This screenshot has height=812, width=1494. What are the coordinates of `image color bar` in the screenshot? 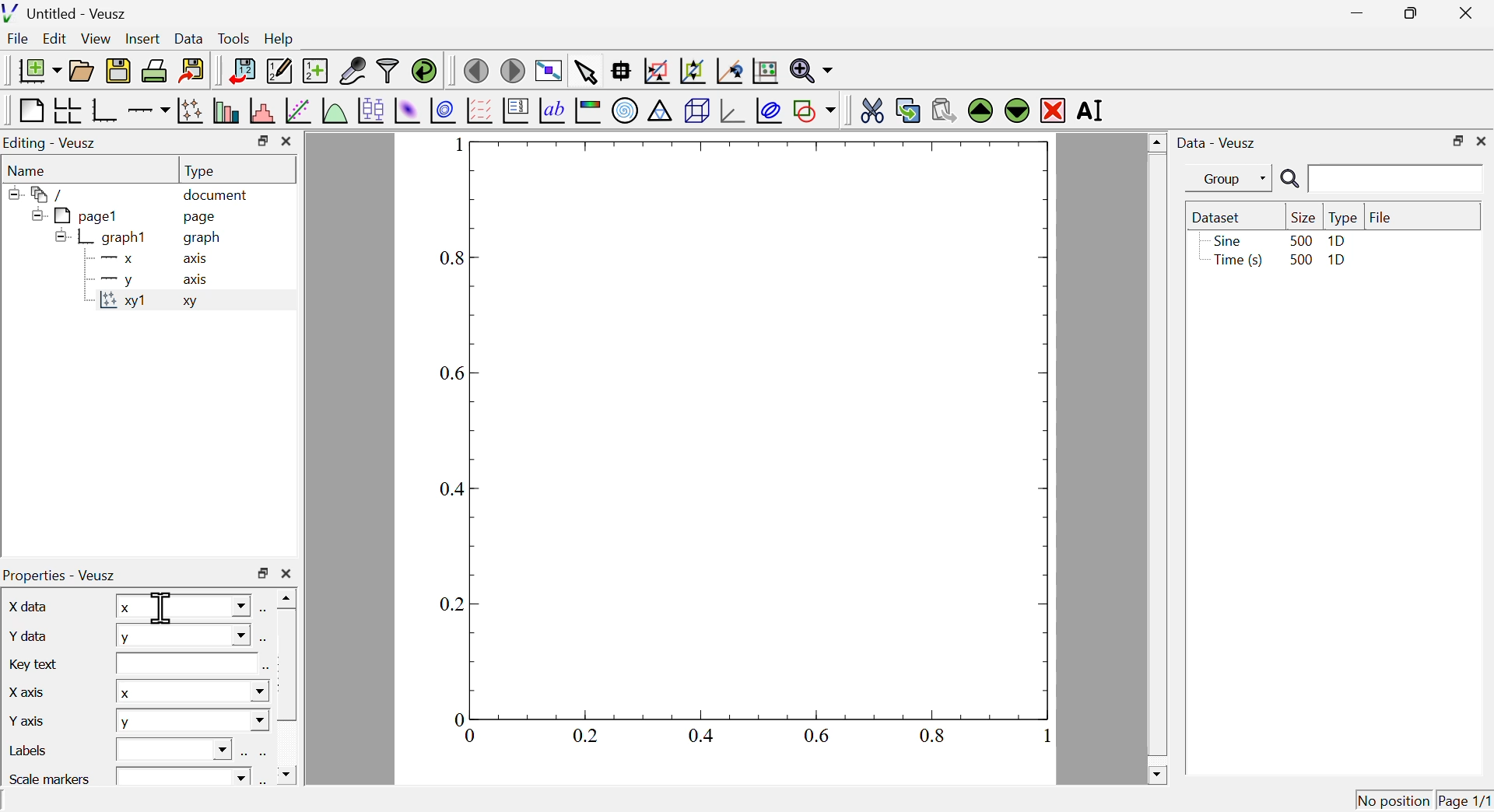 It's located at (589, 112).